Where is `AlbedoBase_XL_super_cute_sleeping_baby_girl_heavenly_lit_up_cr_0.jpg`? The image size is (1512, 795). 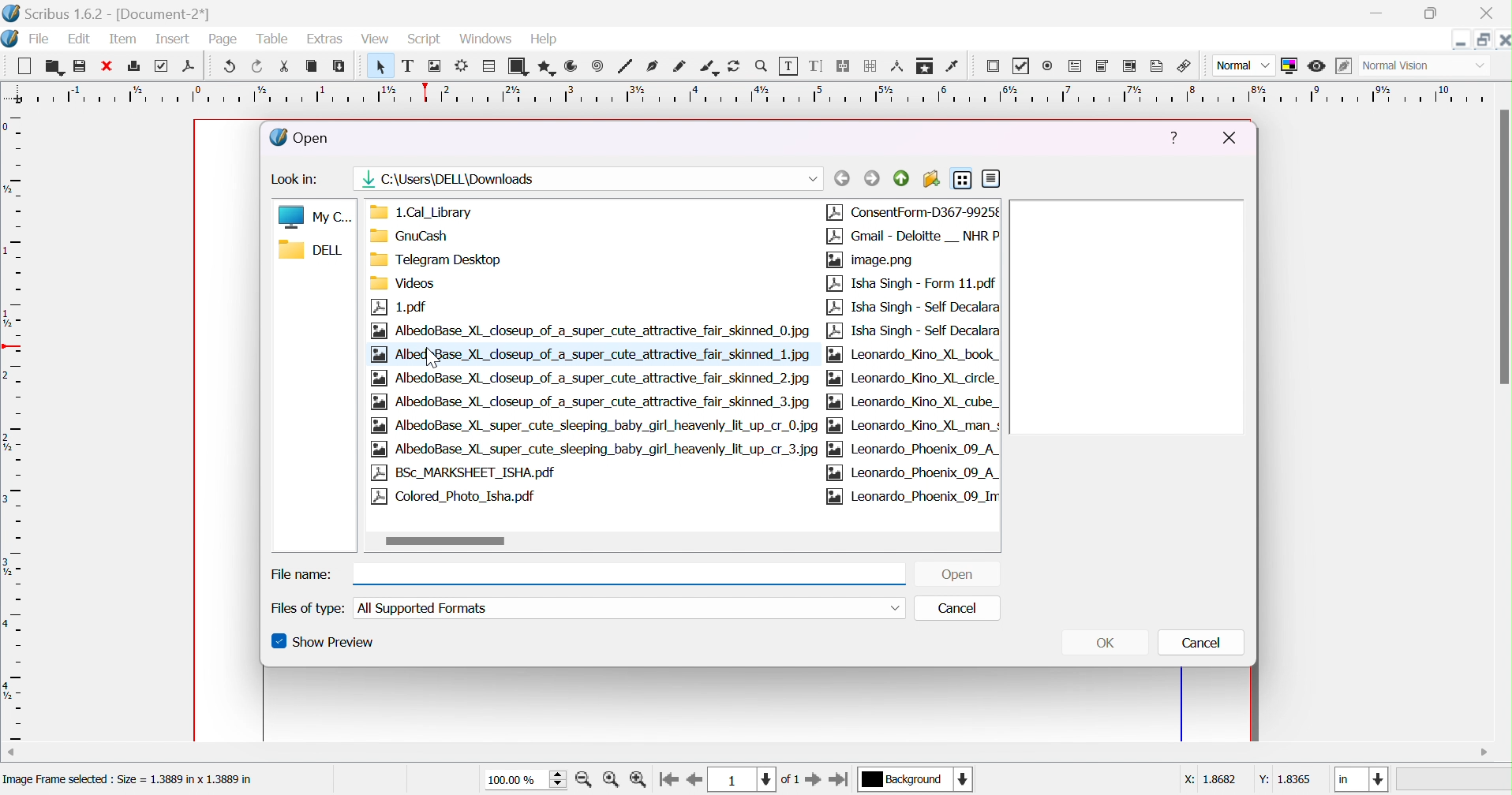 AlbedoBase_XL_super_cute_sleeping_baby_girl_heavenly_lit_up_cr_0.jpg is located at coordinates (596, 427).